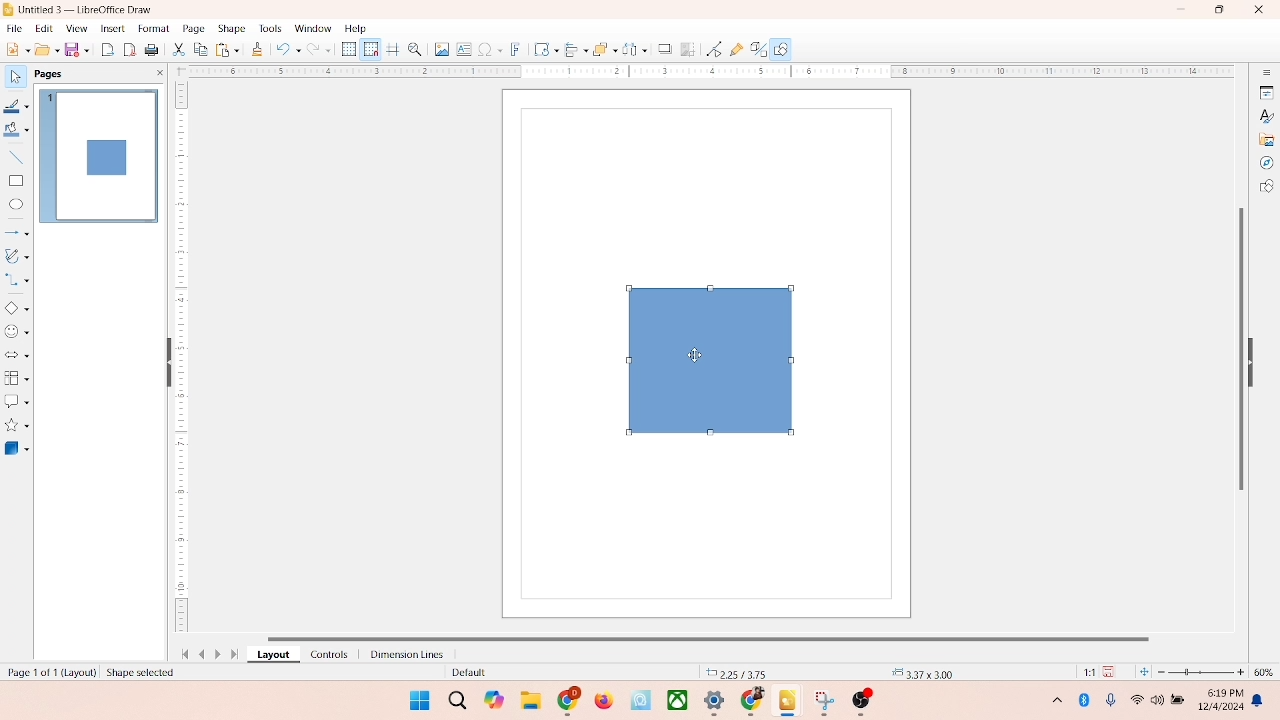 Image resolution: width=1280 pixels, height=720 pixels. What do you see at coordinates (9, 9) in the screenshot?
I see `logo` at bounding box center [9, 9].